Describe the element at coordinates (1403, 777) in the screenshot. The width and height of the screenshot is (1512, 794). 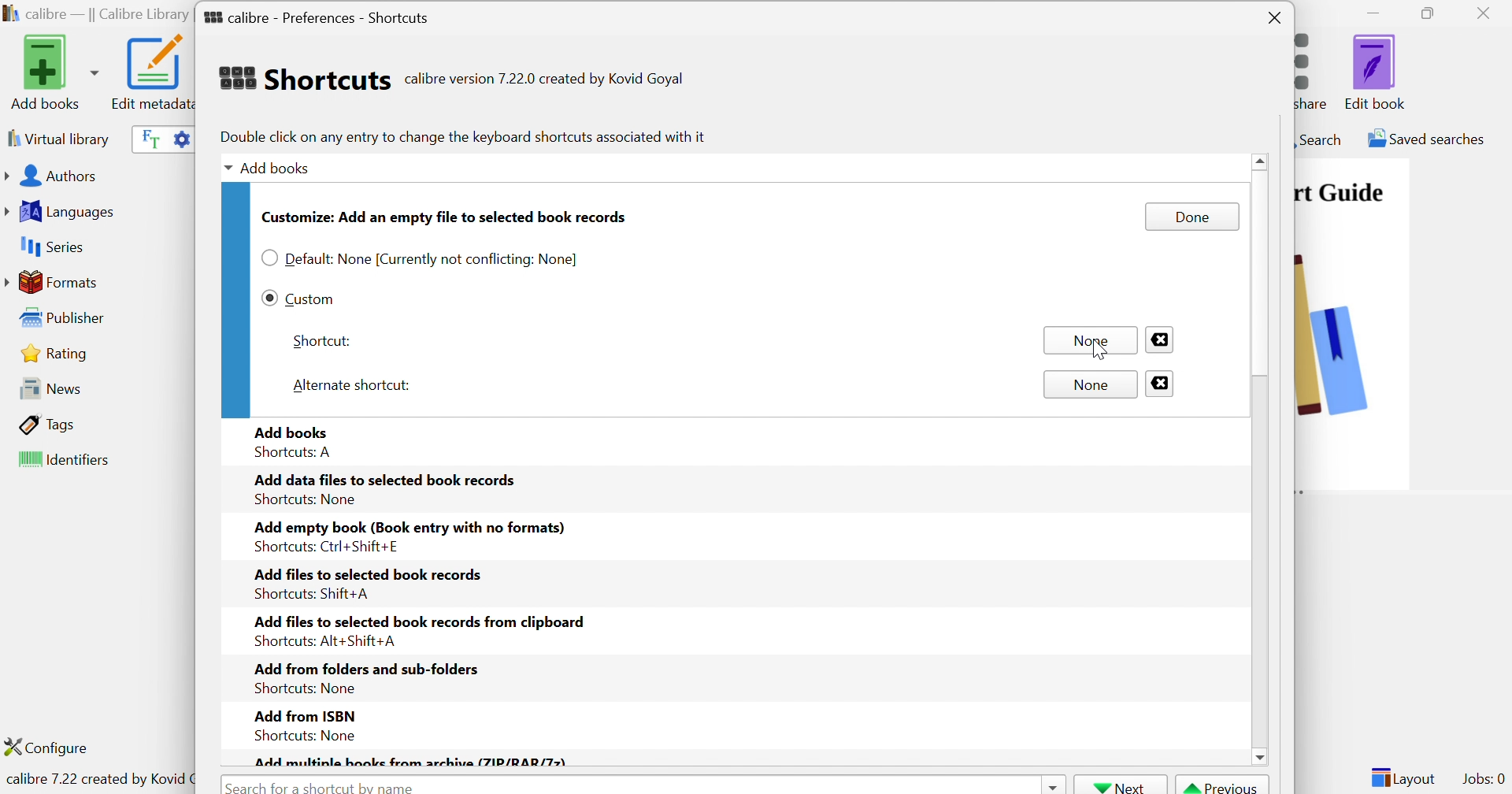
I see `Layout:0` at that location.